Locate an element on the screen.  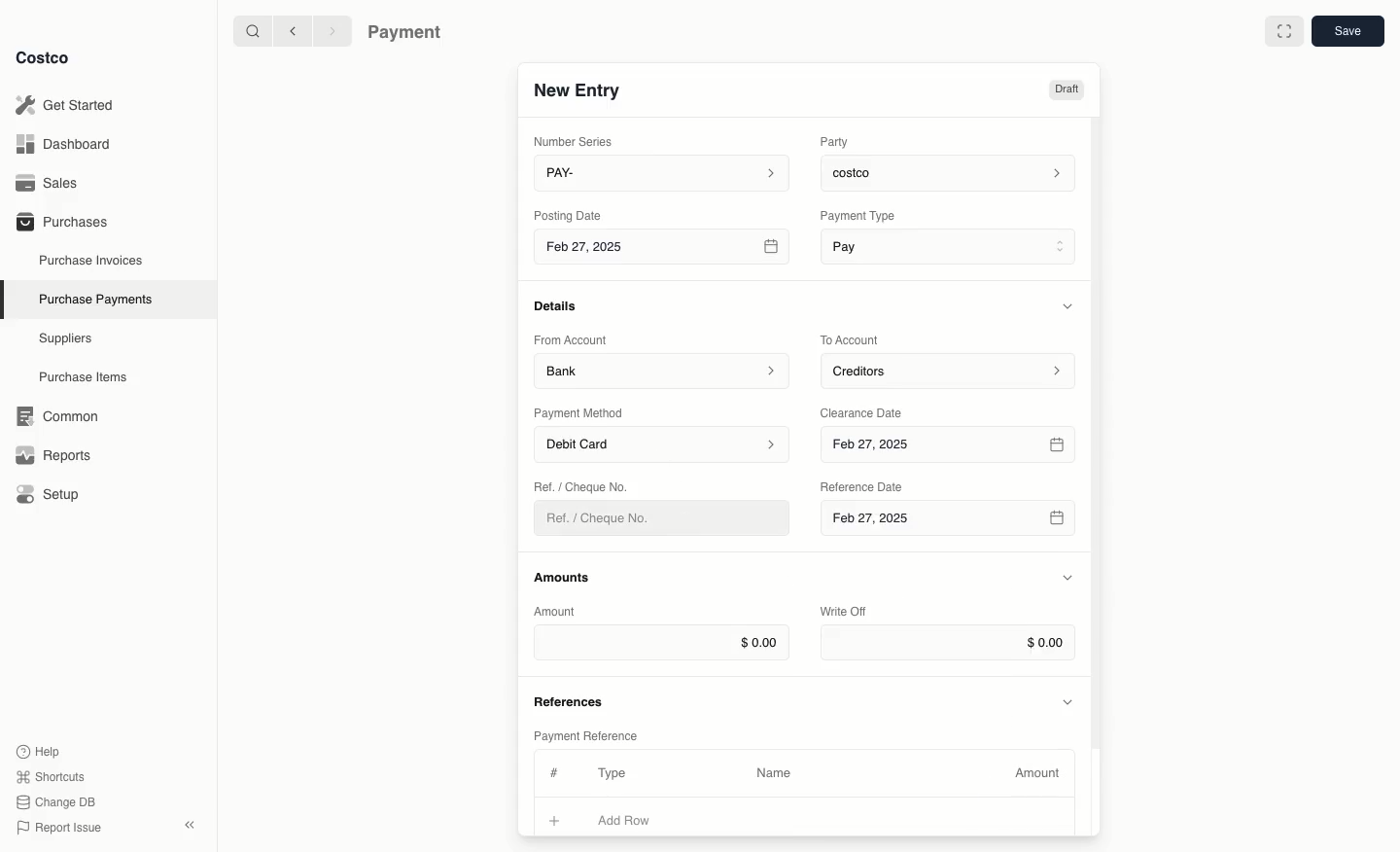
Party is located at coordinates (838, 141).